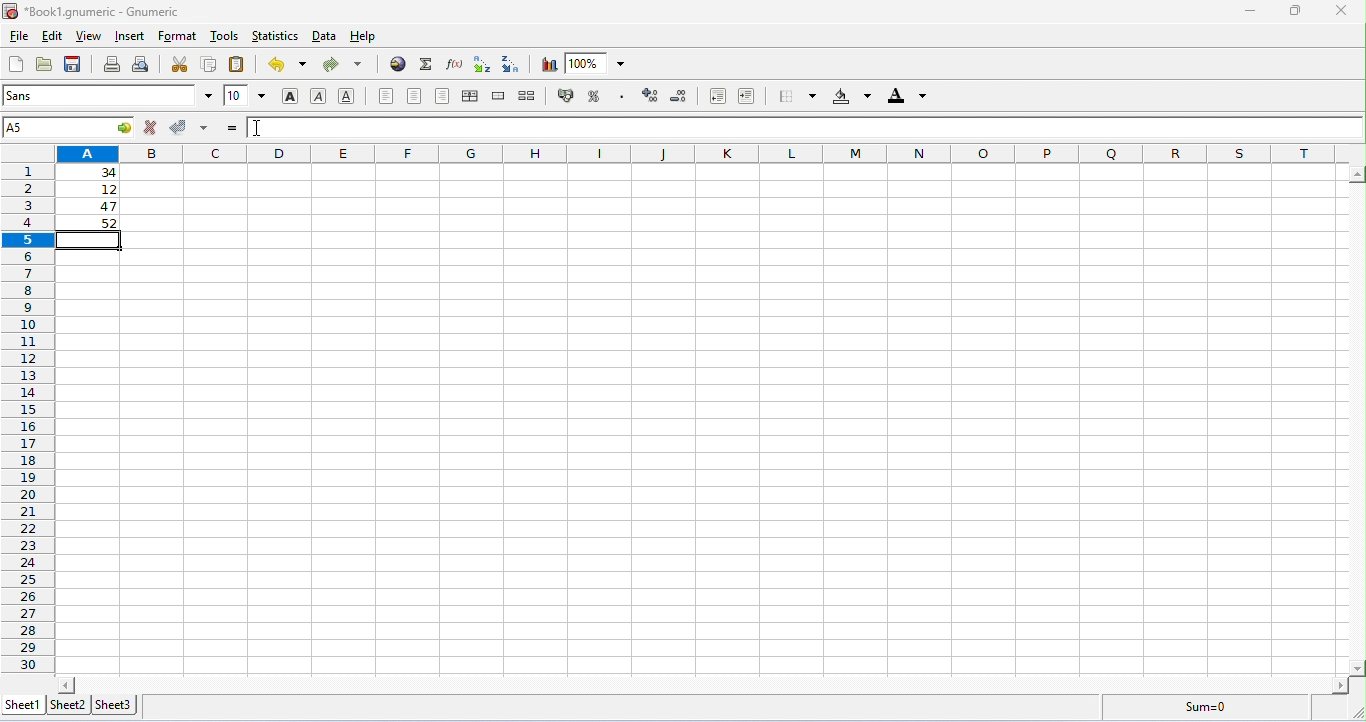  Describe the element at coordinates (68, 704) in the screenshot. I see `sheet2` at that location.